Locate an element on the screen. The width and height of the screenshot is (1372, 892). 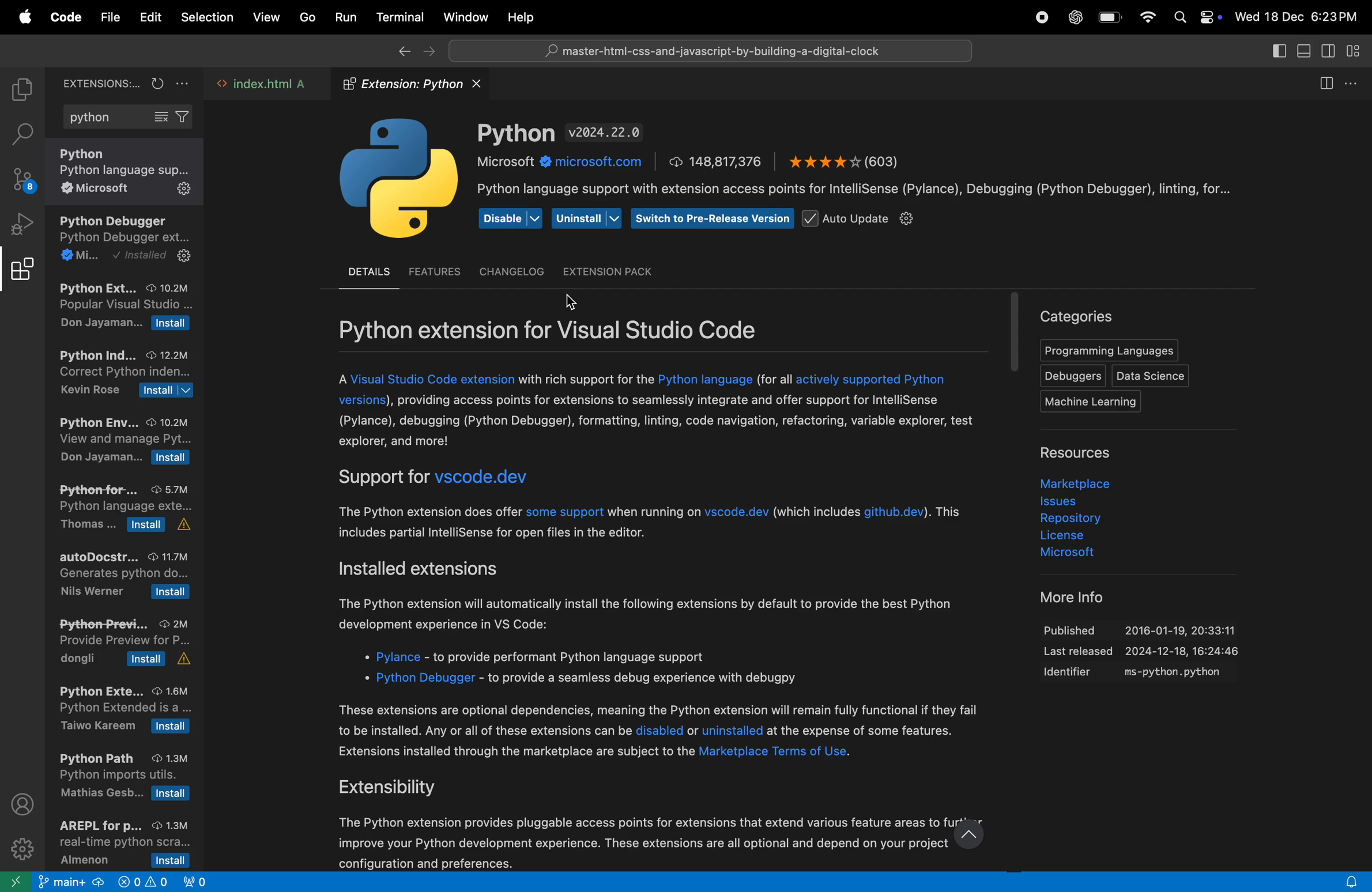
view port  is located at coordinates (202, 880).